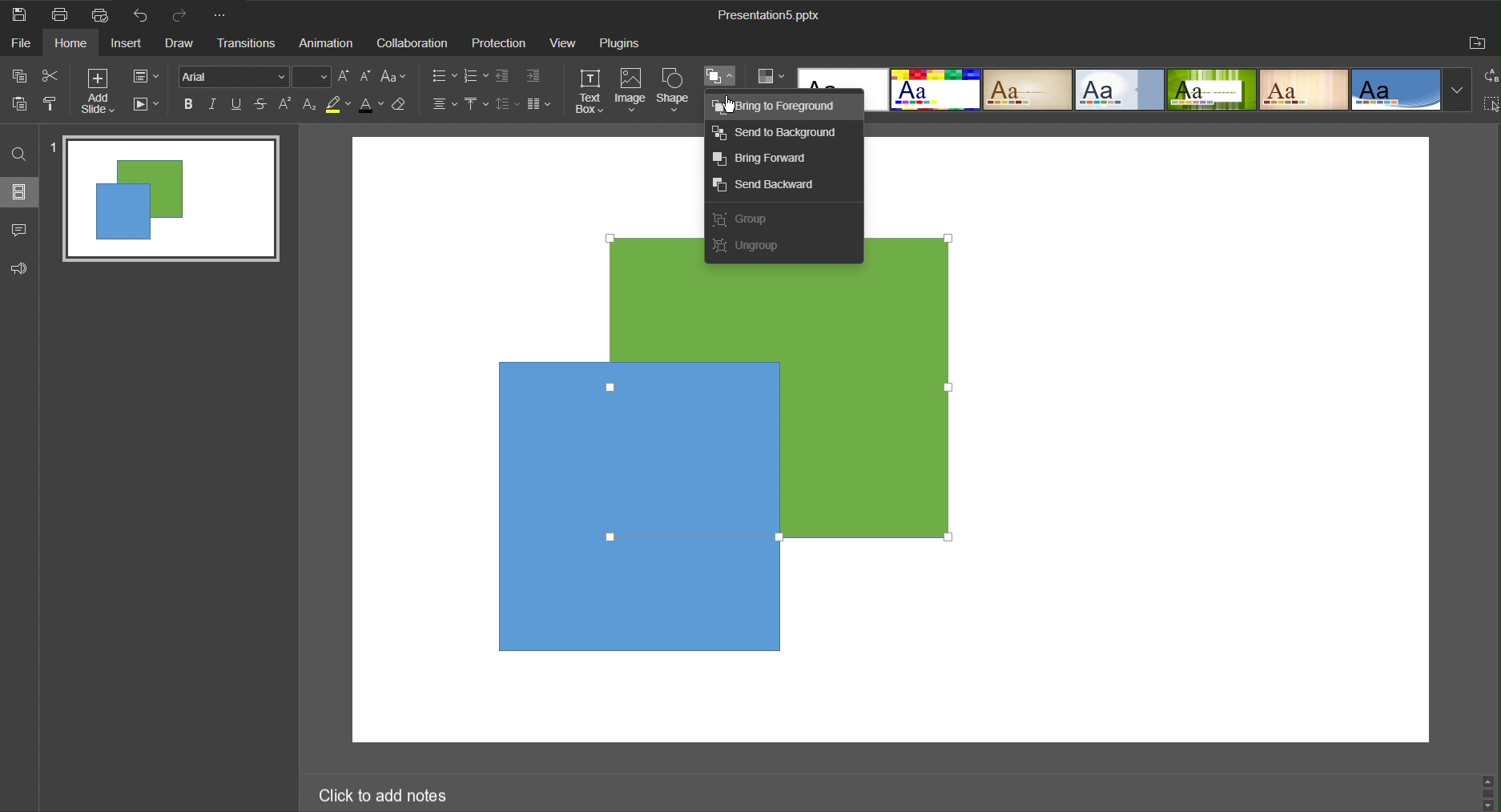 This screenshot has width=1501, height=812. What do you see at coordinates (726, 470) in the screenshot?
I see `shapes` at bounding box center [726, 470].